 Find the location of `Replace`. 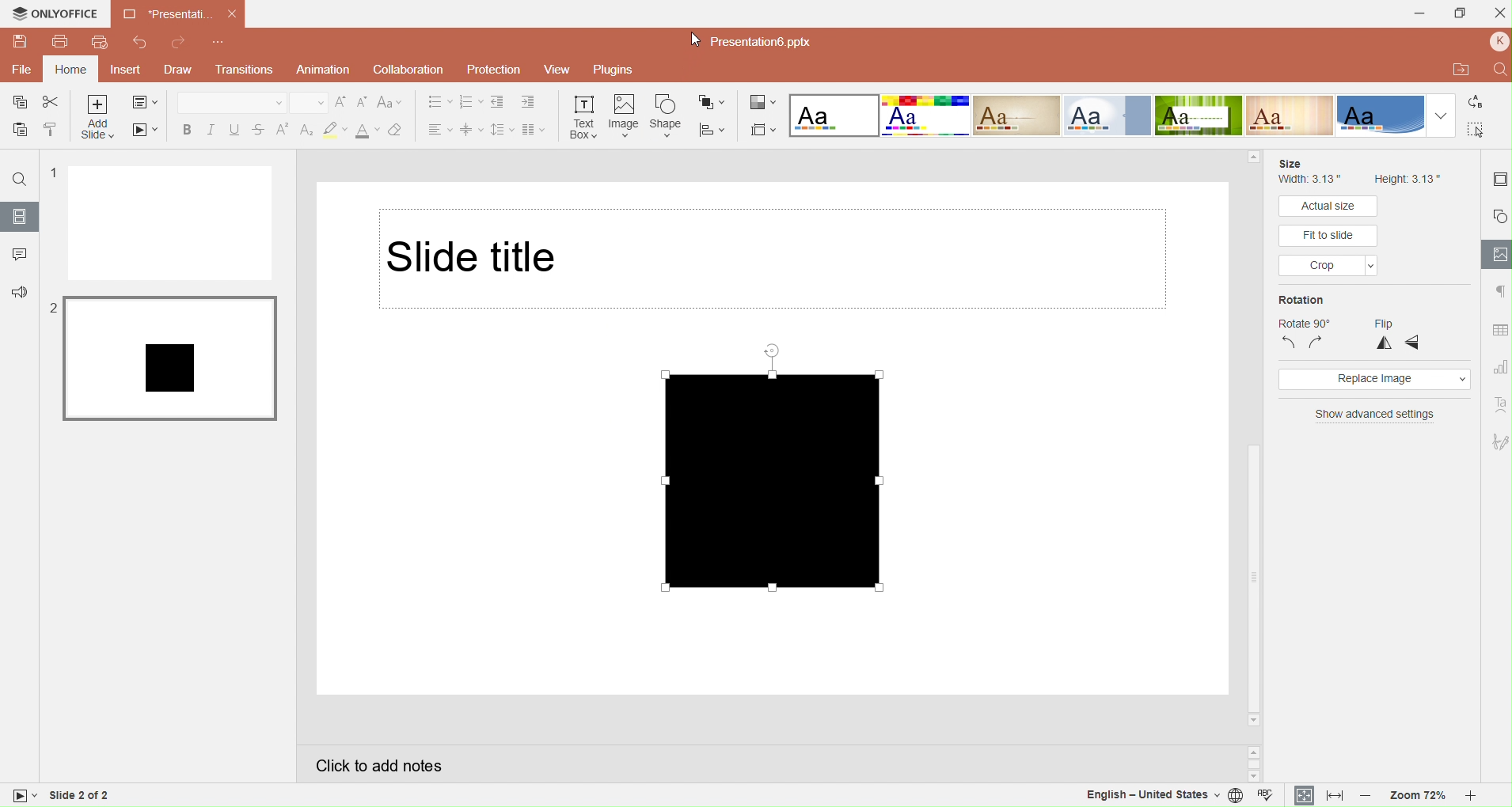

Replace is located at coordinates (1476, 100).